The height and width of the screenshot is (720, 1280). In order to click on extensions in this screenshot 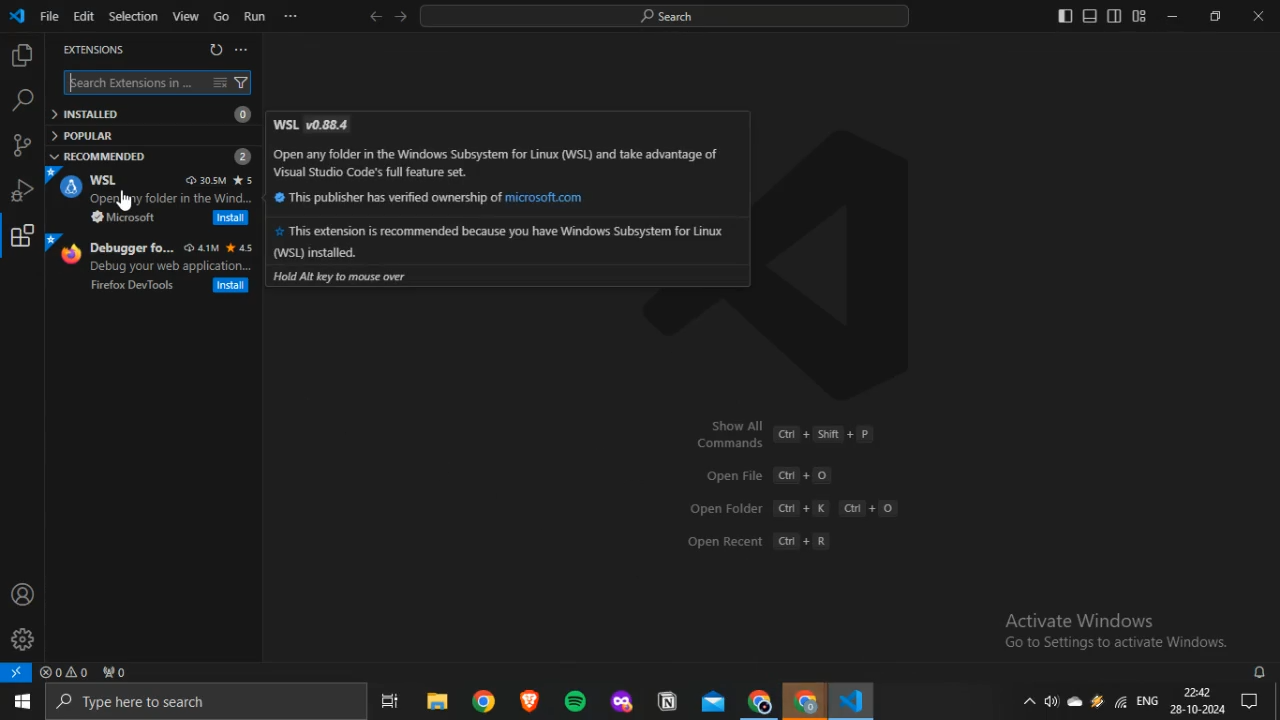, I will do `click(22, 235)`.